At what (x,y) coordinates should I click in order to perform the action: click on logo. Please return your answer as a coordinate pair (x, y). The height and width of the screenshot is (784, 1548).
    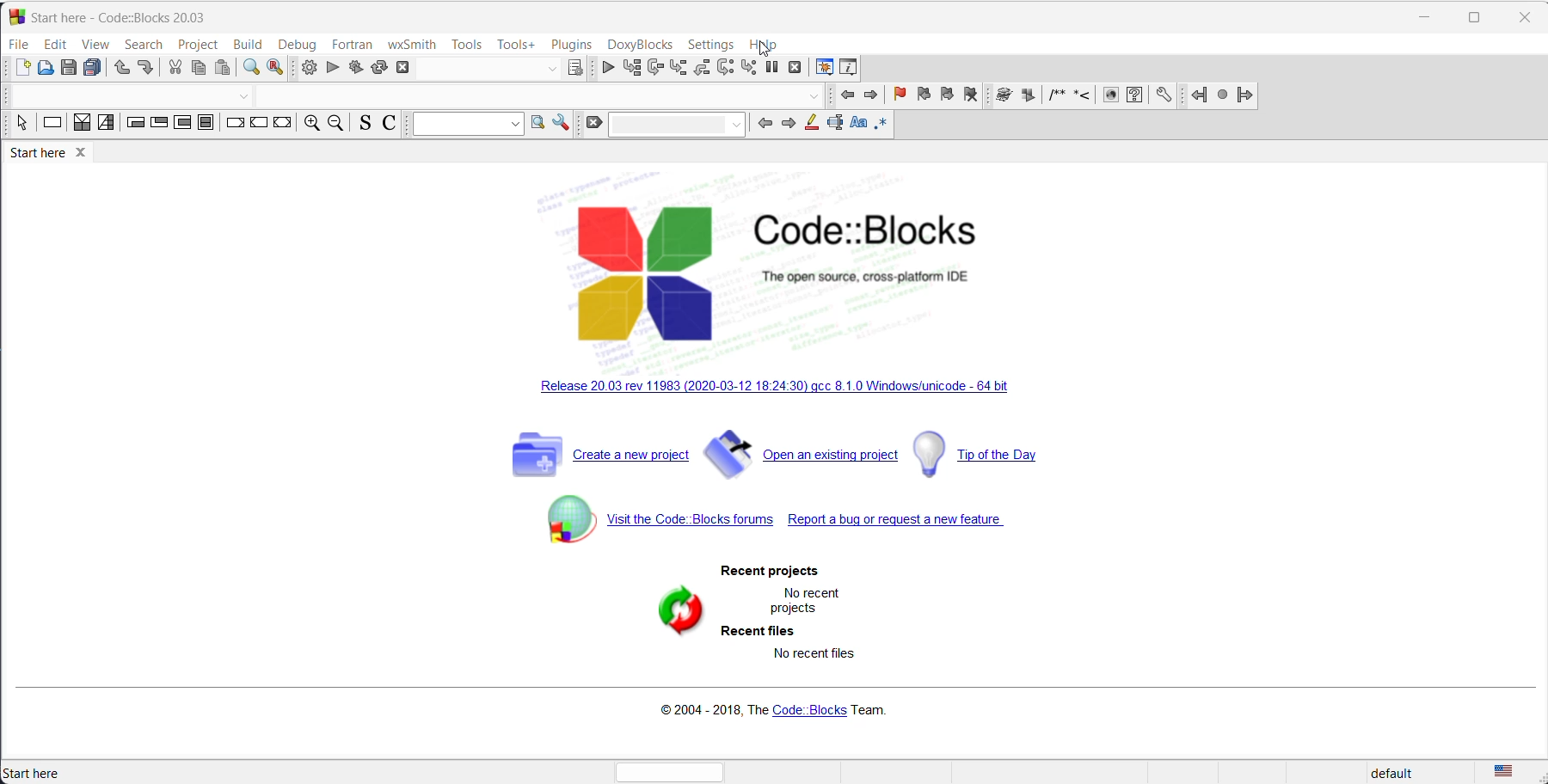
    Looking at the image, I should click on (786, 274).